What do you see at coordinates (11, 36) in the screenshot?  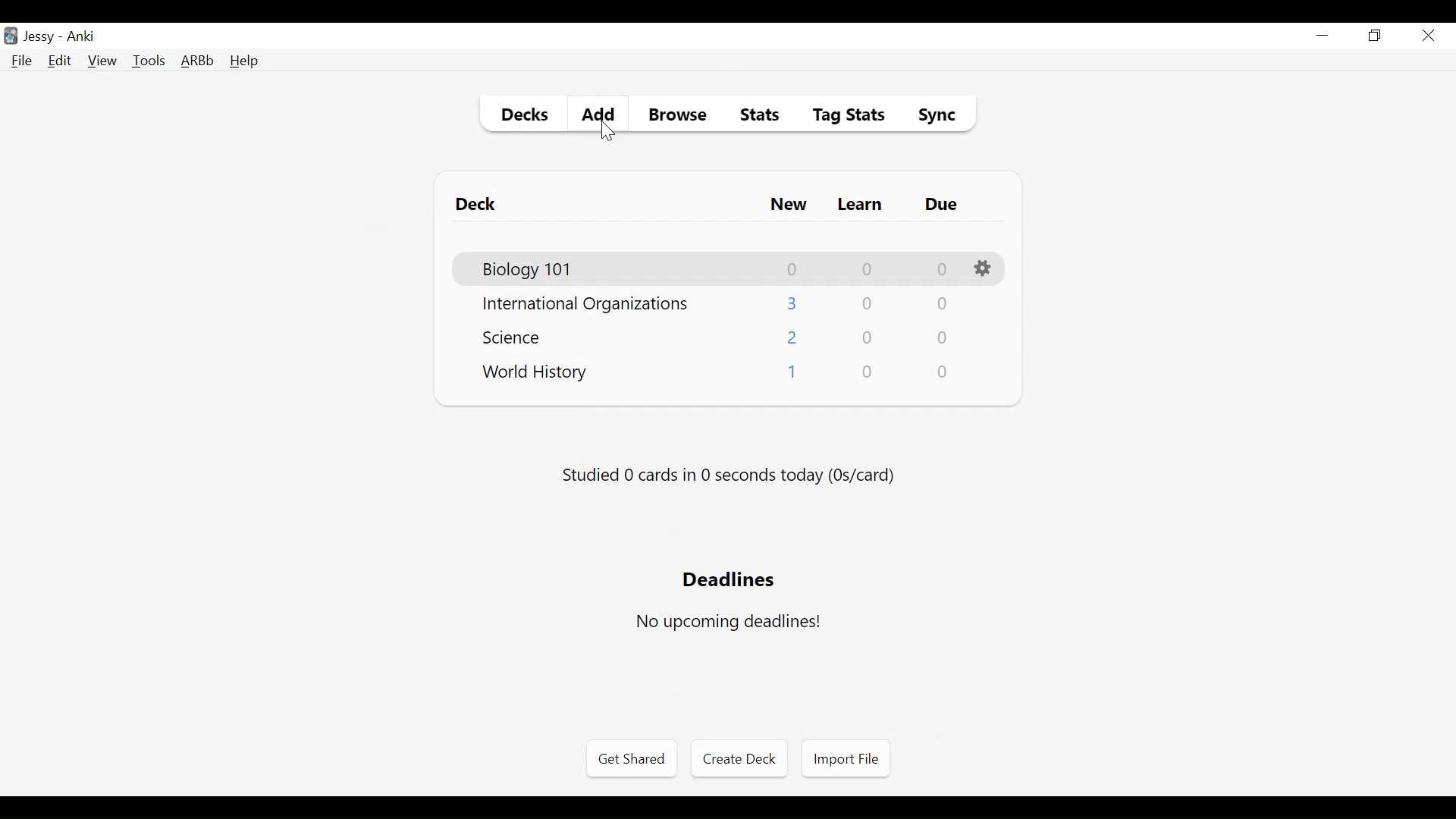 I see `Anki Desktop icon` at bounding box center [11, 36].